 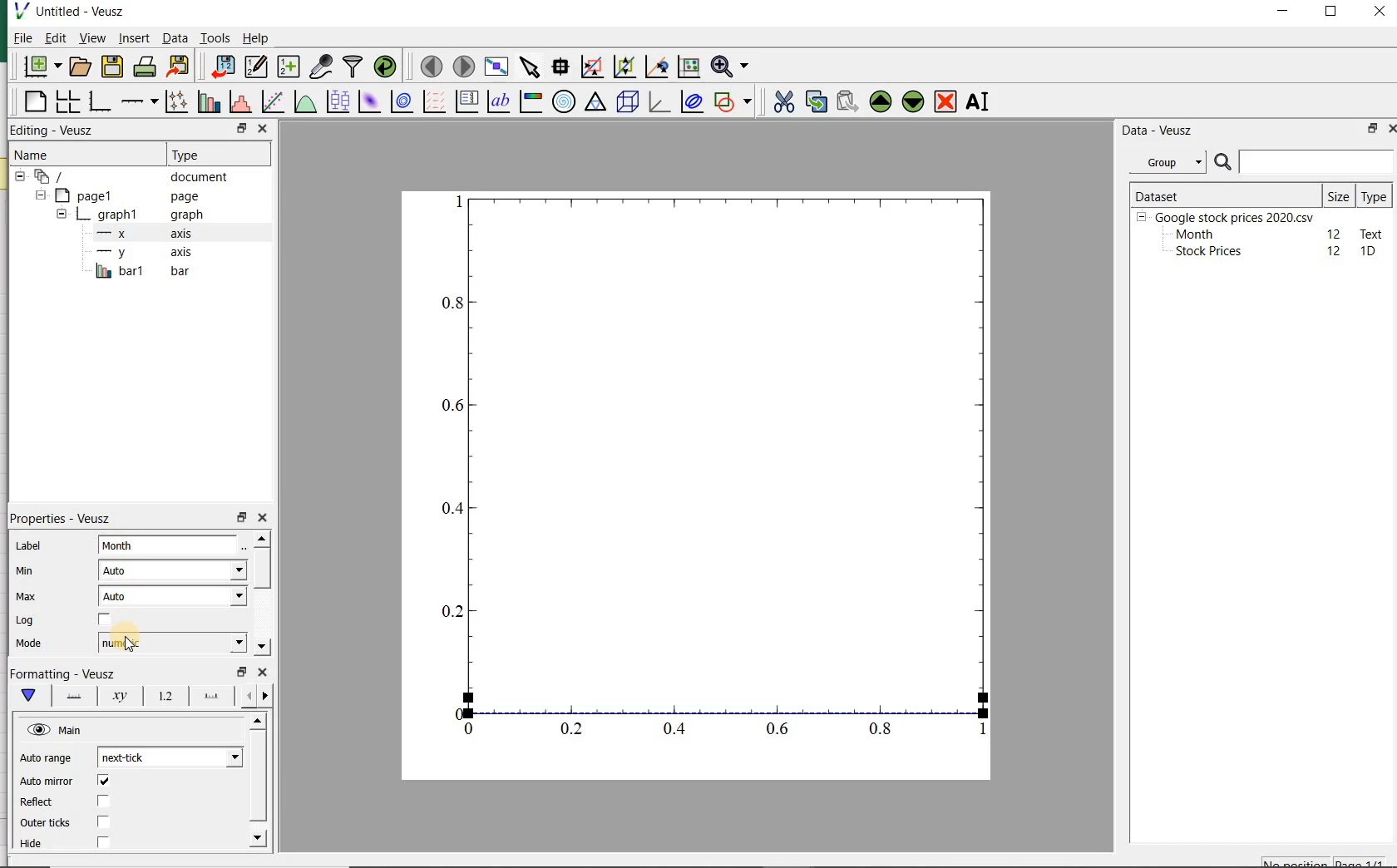 What do you see at coordinates (1158, 130) in the screenshot?
I see `Data - Veusz` at bounding box center [1158, 130].